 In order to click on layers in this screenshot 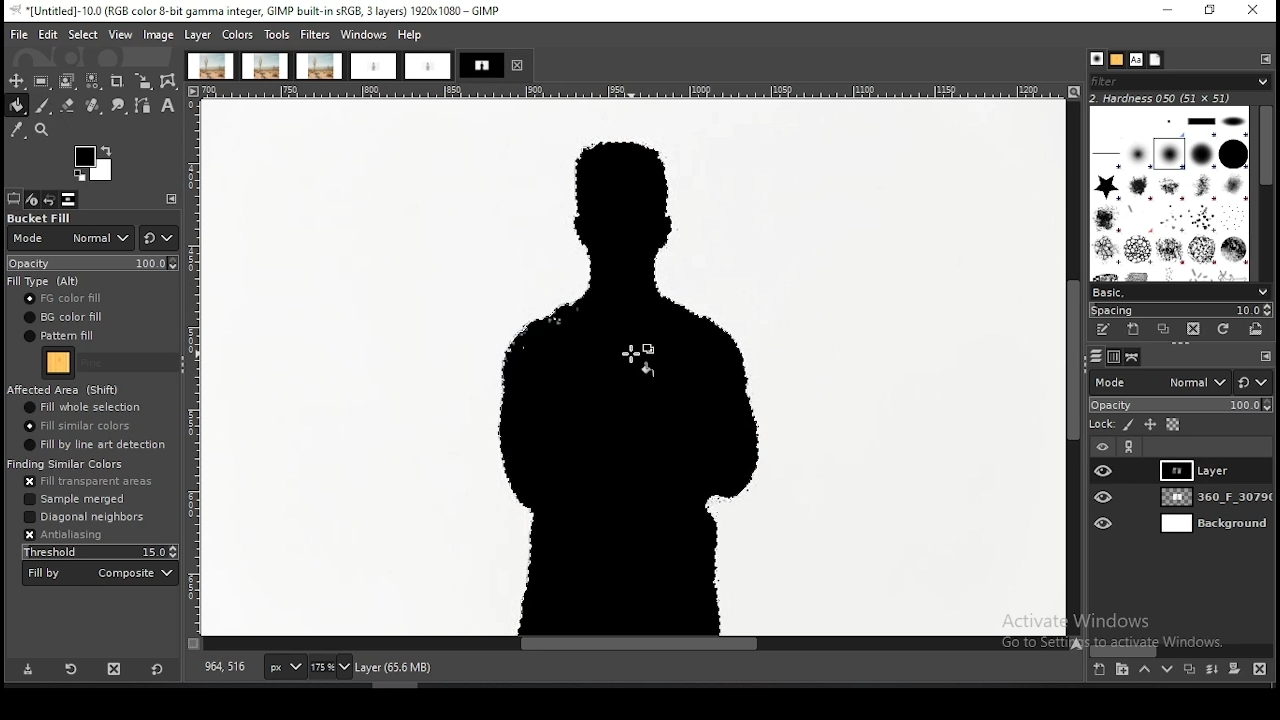, I will do `click(1096, 357)`.